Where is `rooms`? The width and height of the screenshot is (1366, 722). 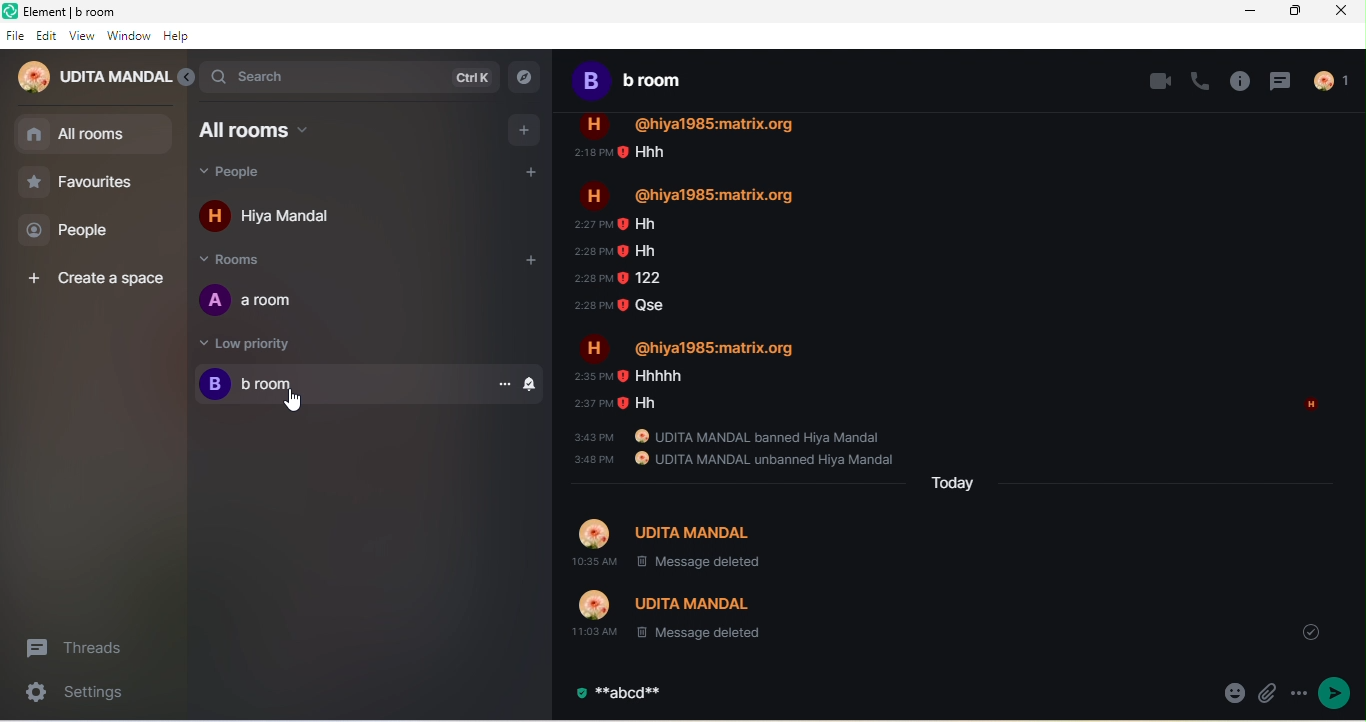
rooms is located at coordinates (242, 262).